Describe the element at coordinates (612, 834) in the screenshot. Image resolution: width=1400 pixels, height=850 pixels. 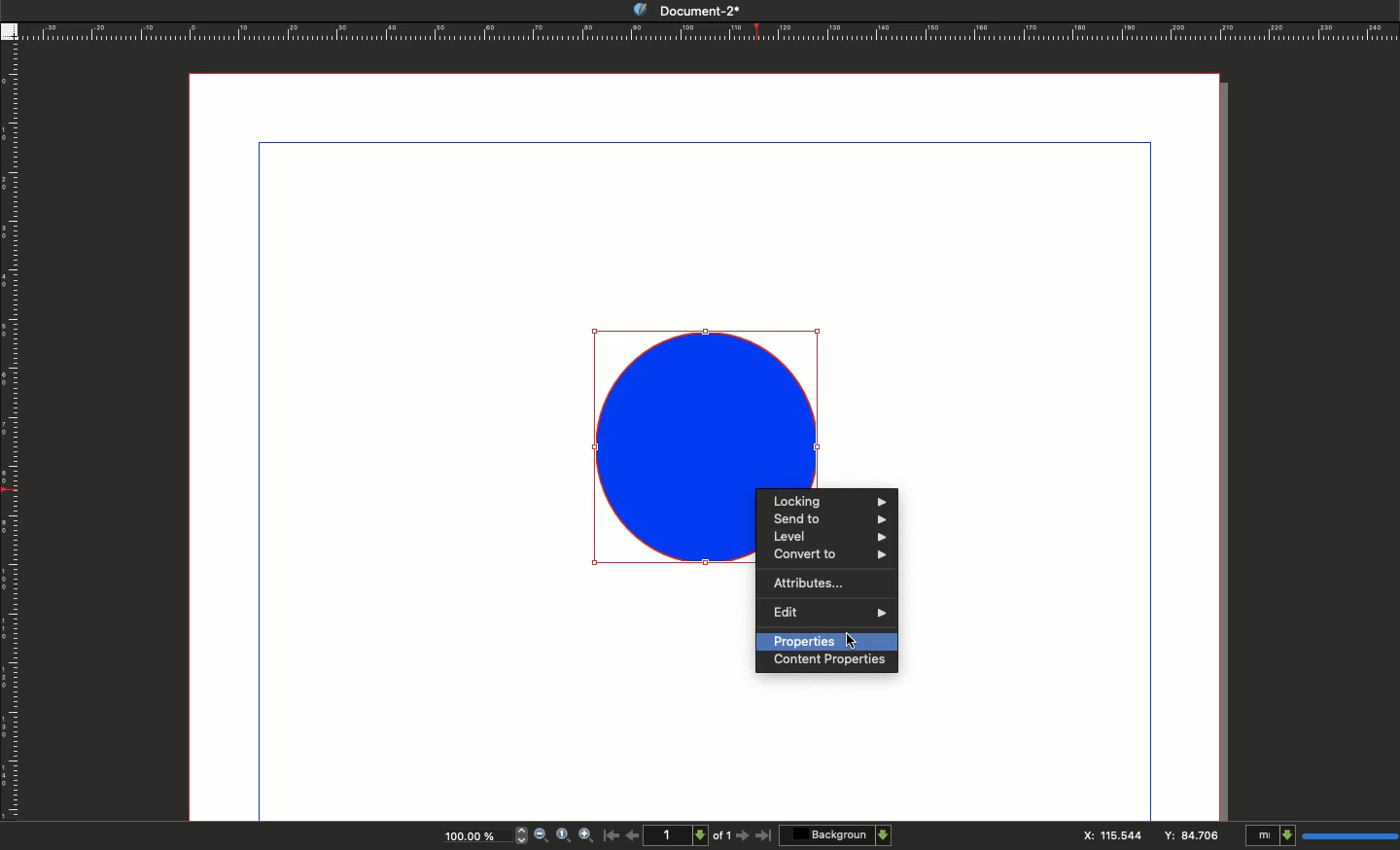
I see `First page` at that location.